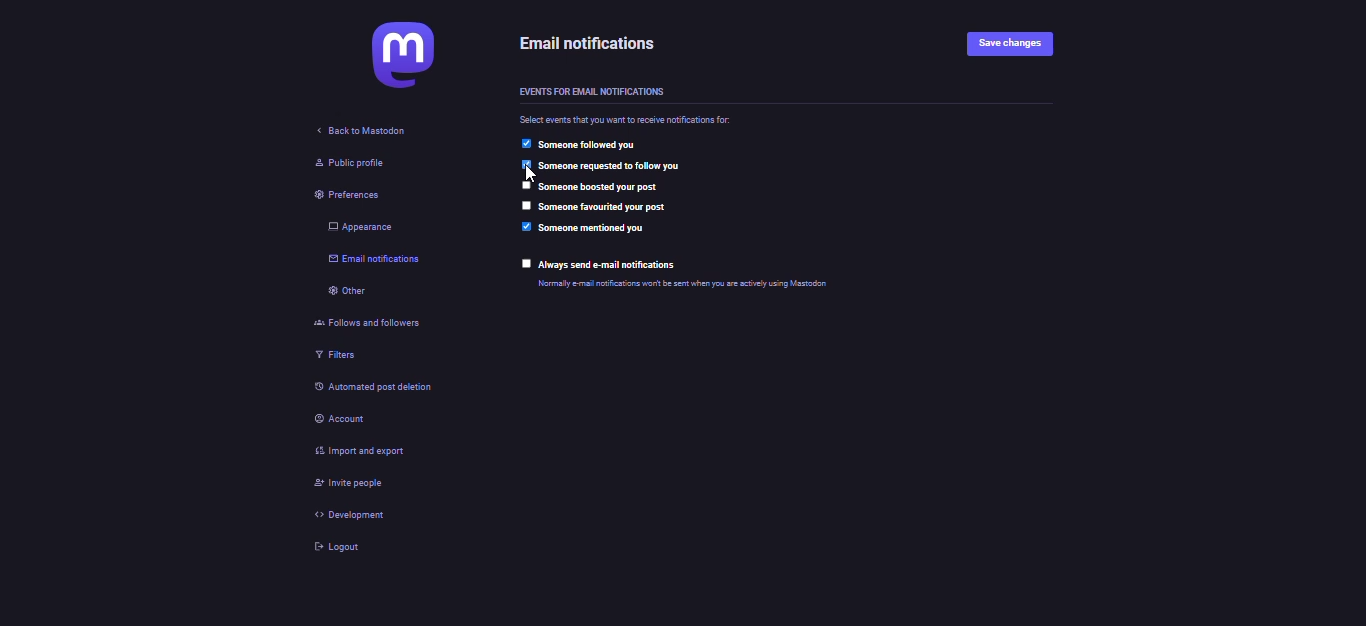 This screenshot has height=626, width=1366. Describe the element at coordinates (524, 143) in the screenshot. I see `enabled` at that location.